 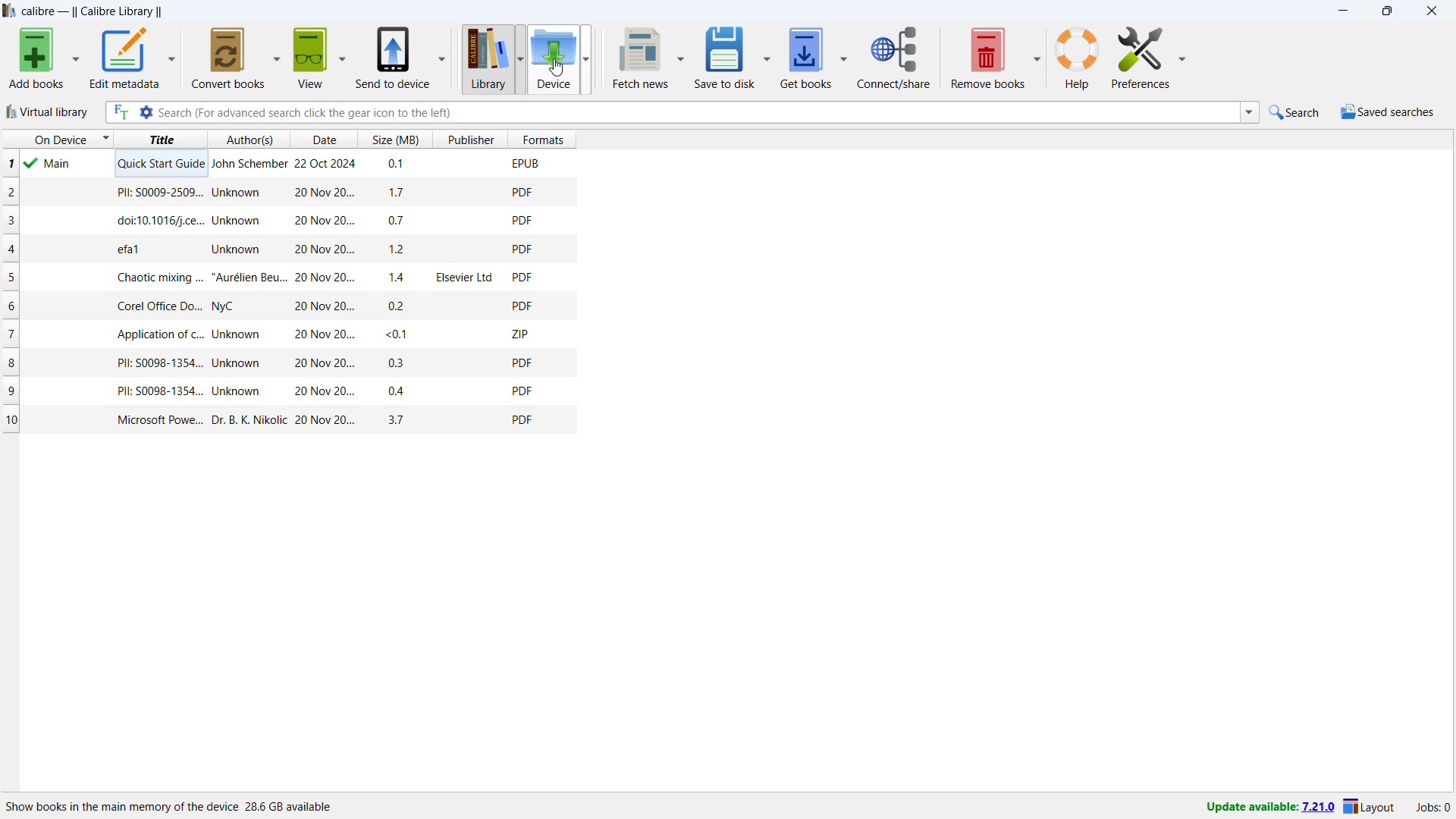 I want to click on remove books, so click(x=987, y=56).